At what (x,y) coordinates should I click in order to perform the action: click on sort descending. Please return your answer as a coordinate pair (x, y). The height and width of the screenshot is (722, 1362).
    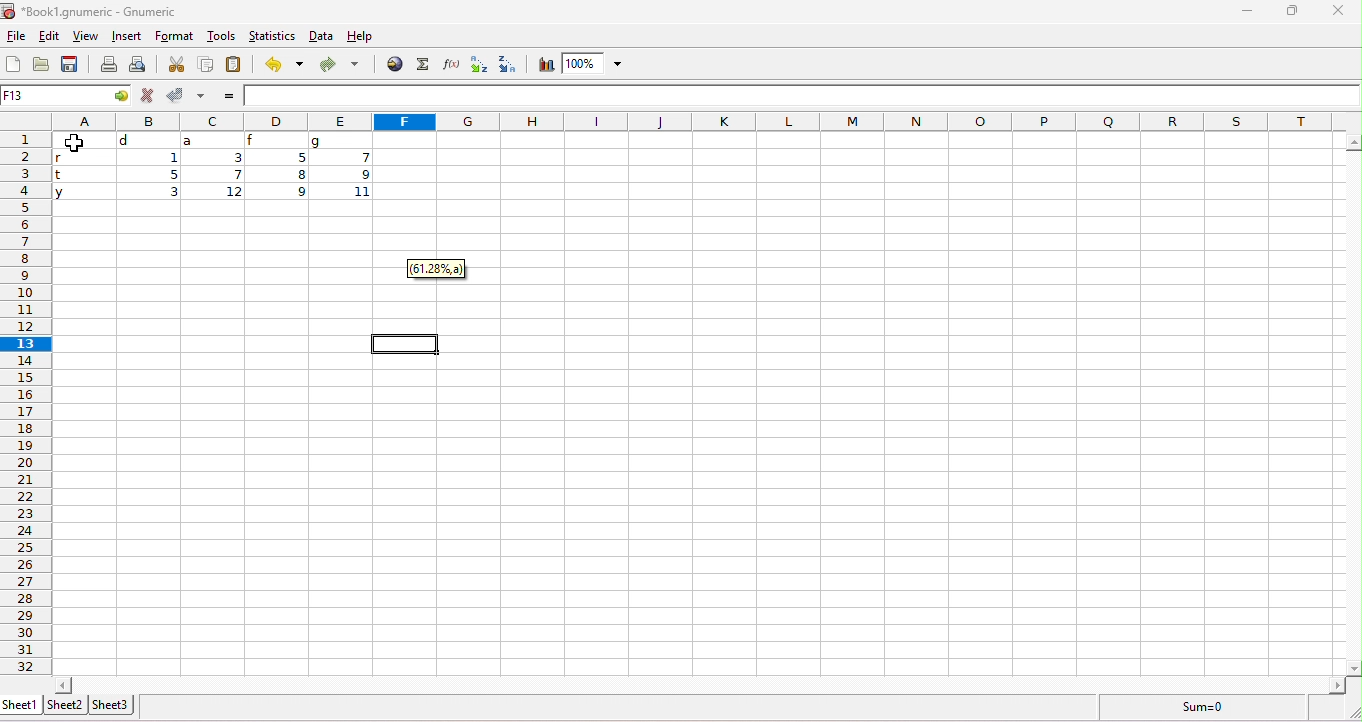
    Looking at the image, I should click on (509, 63).